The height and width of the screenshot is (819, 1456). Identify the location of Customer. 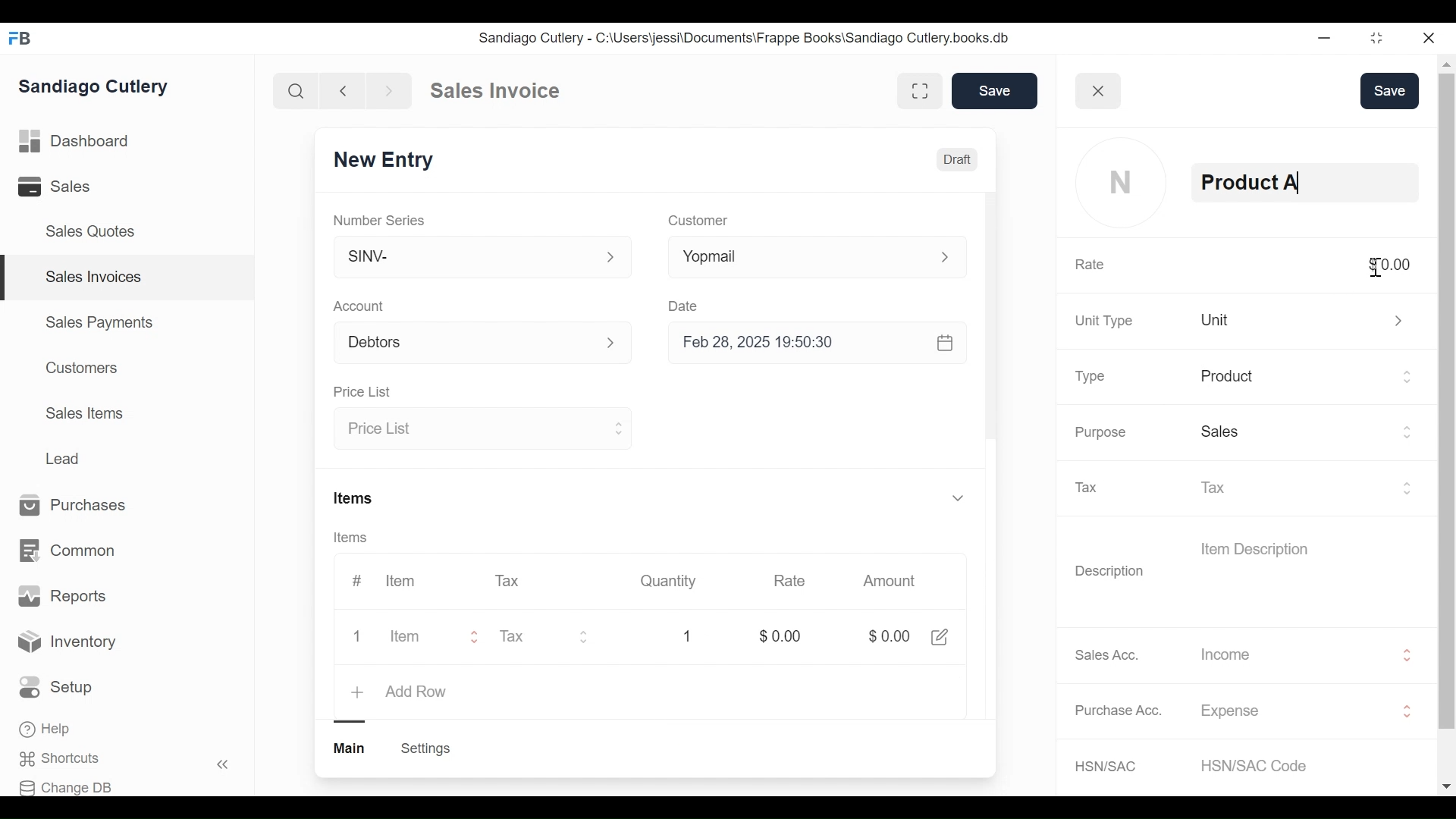
(703, 220).